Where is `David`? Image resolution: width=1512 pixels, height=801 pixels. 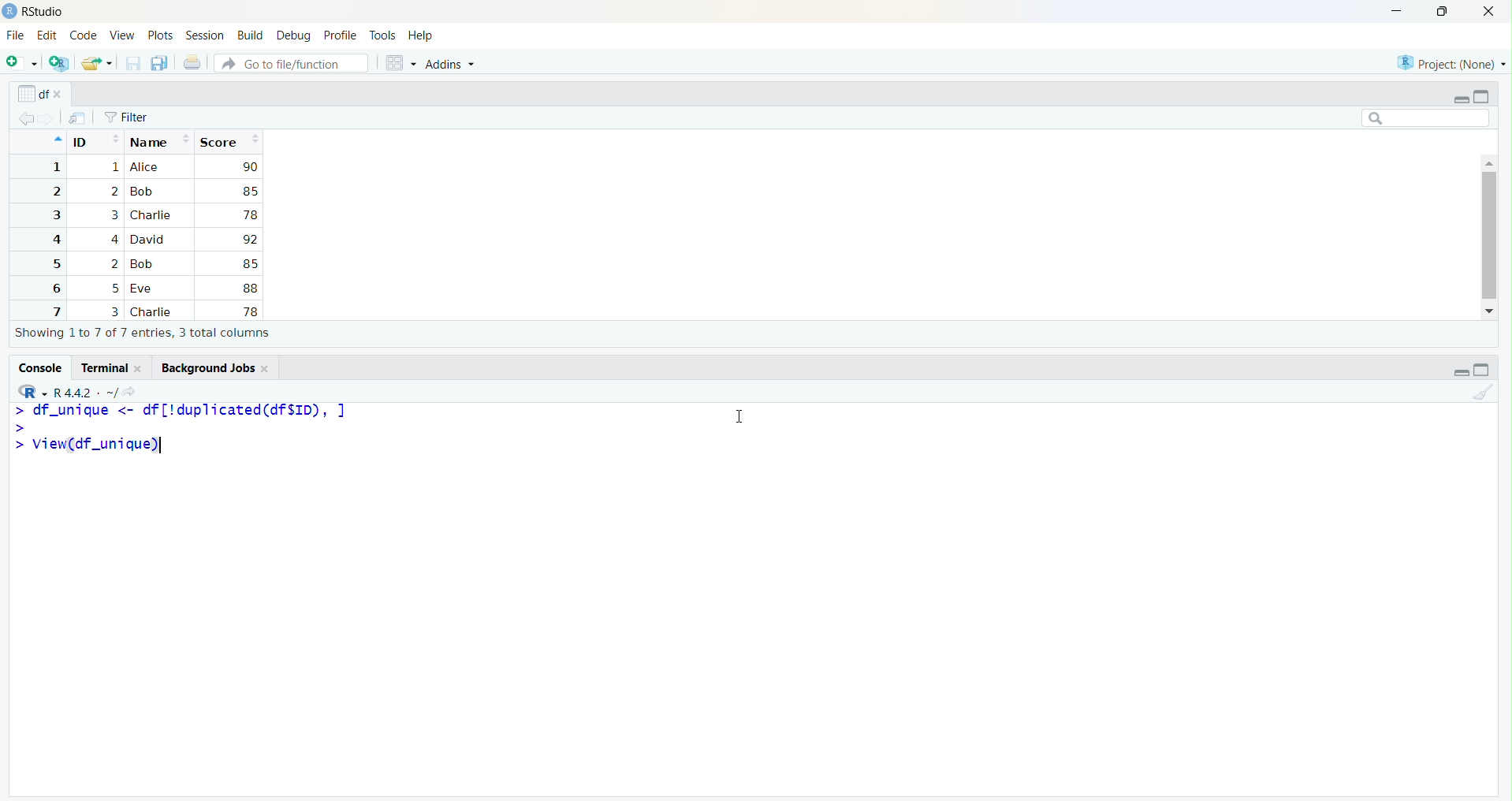
David is located at coordinates (150, 238).